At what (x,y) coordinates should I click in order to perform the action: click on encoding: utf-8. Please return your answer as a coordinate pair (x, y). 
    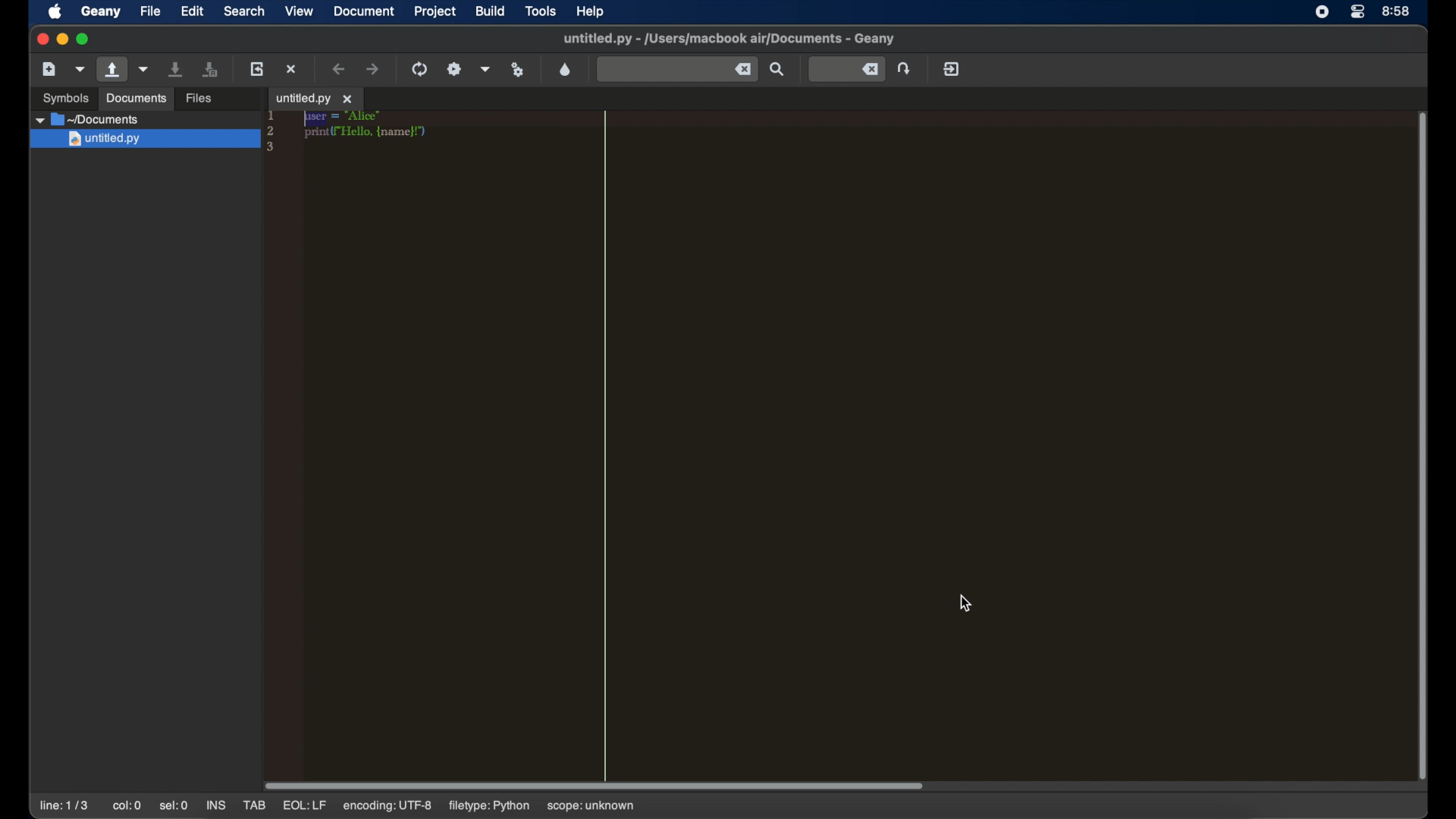
    Looking at the image, I should click on (387, 806).